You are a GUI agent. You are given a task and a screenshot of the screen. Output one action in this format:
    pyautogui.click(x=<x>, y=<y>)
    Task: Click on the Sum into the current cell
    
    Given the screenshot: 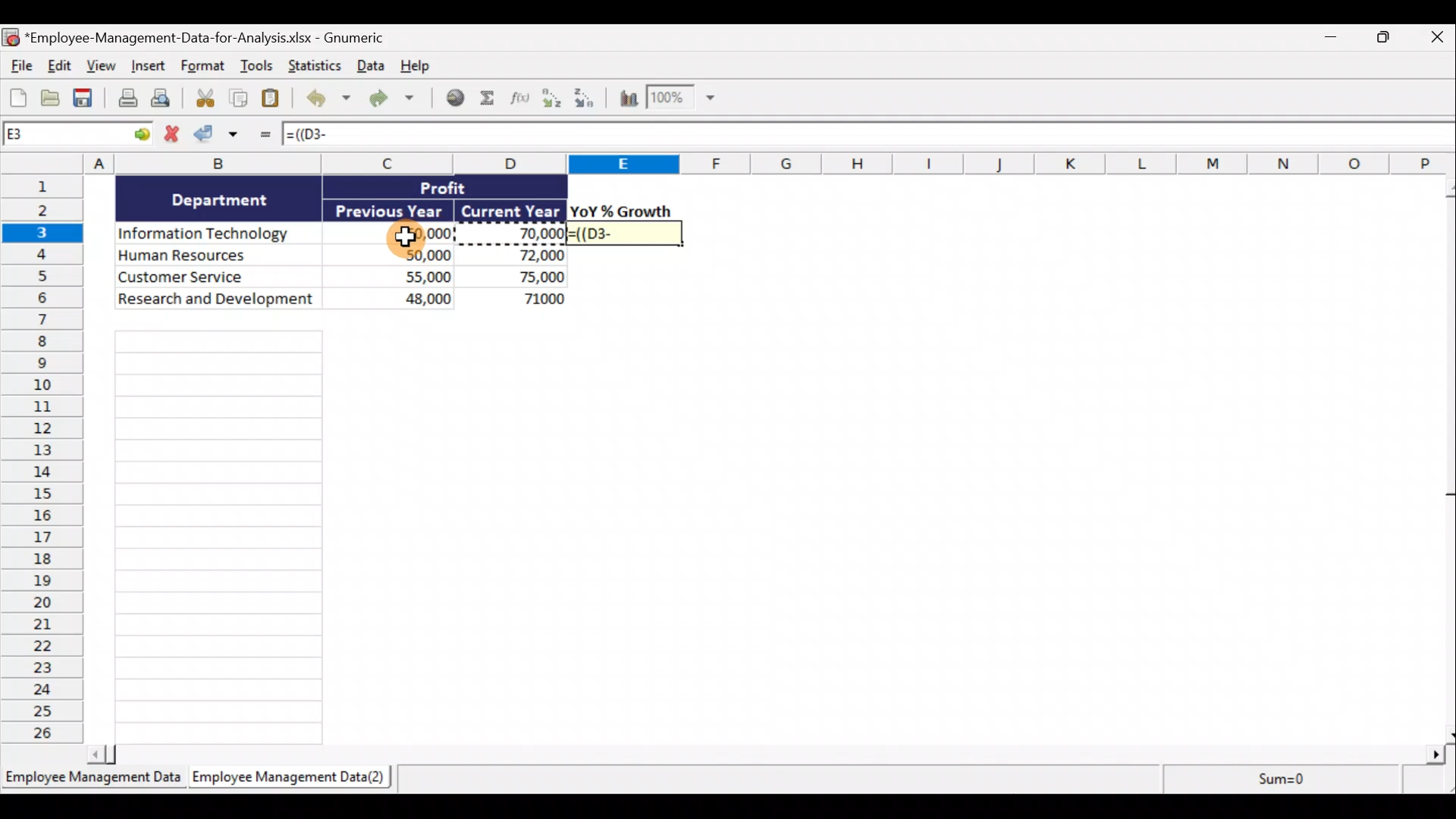 What is the action you would take?
    pyautogui.click(x=491, y=99)
    